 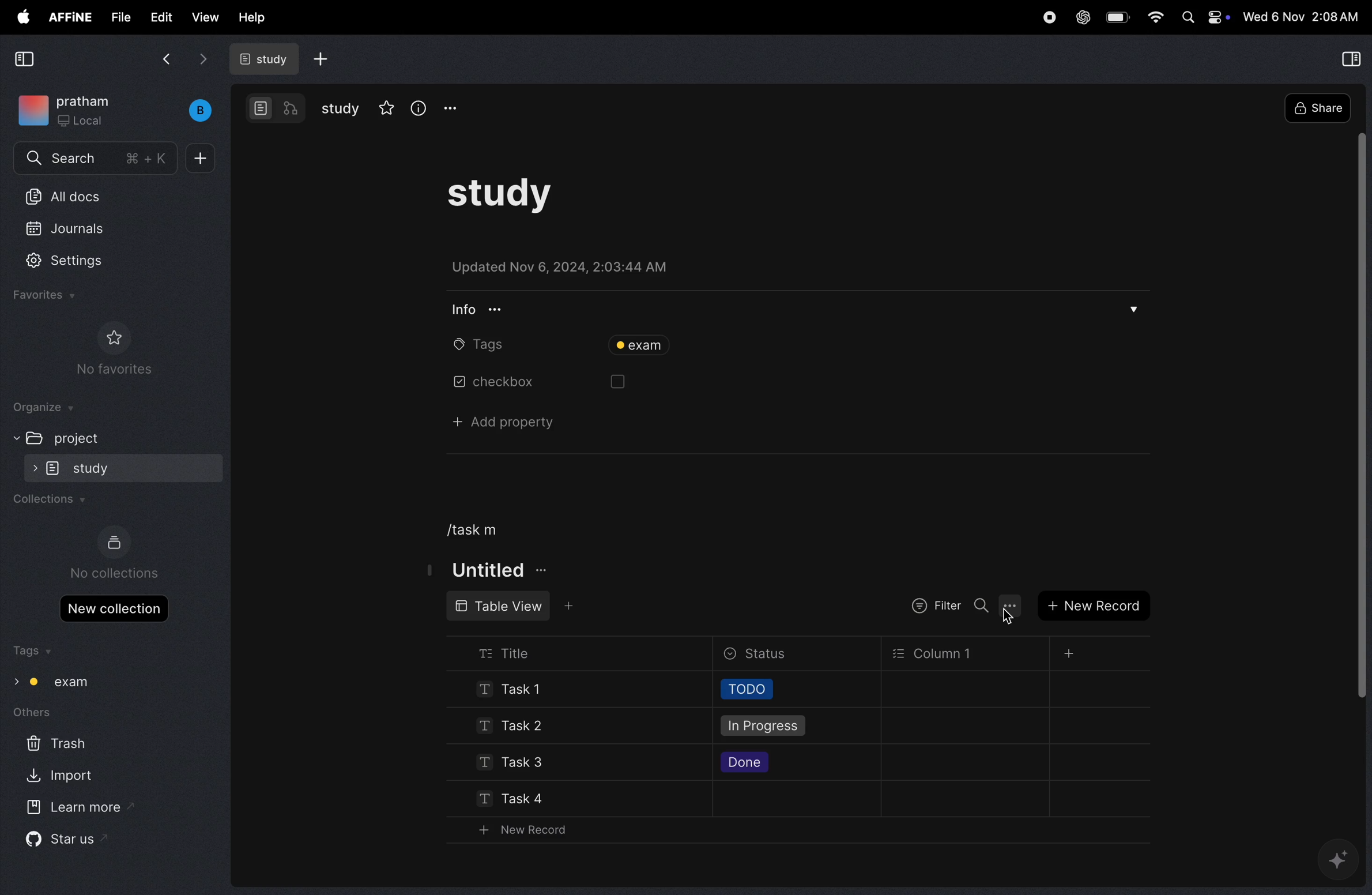 I want to click on star, so click(x=383, y=108).